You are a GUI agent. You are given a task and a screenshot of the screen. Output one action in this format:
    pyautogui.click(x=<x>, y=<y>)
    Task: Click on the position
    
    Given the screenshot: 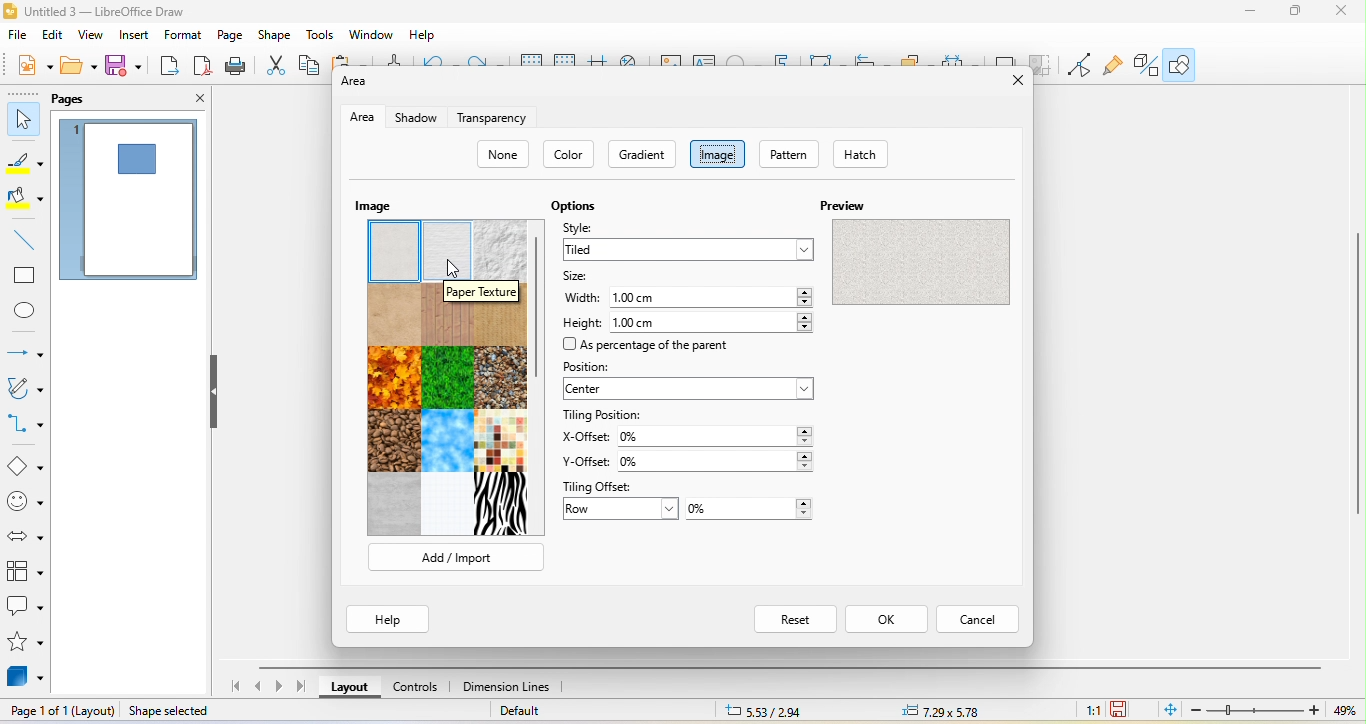 What is the action you would take?
    pyautogui.click(x=596, y=365)
    